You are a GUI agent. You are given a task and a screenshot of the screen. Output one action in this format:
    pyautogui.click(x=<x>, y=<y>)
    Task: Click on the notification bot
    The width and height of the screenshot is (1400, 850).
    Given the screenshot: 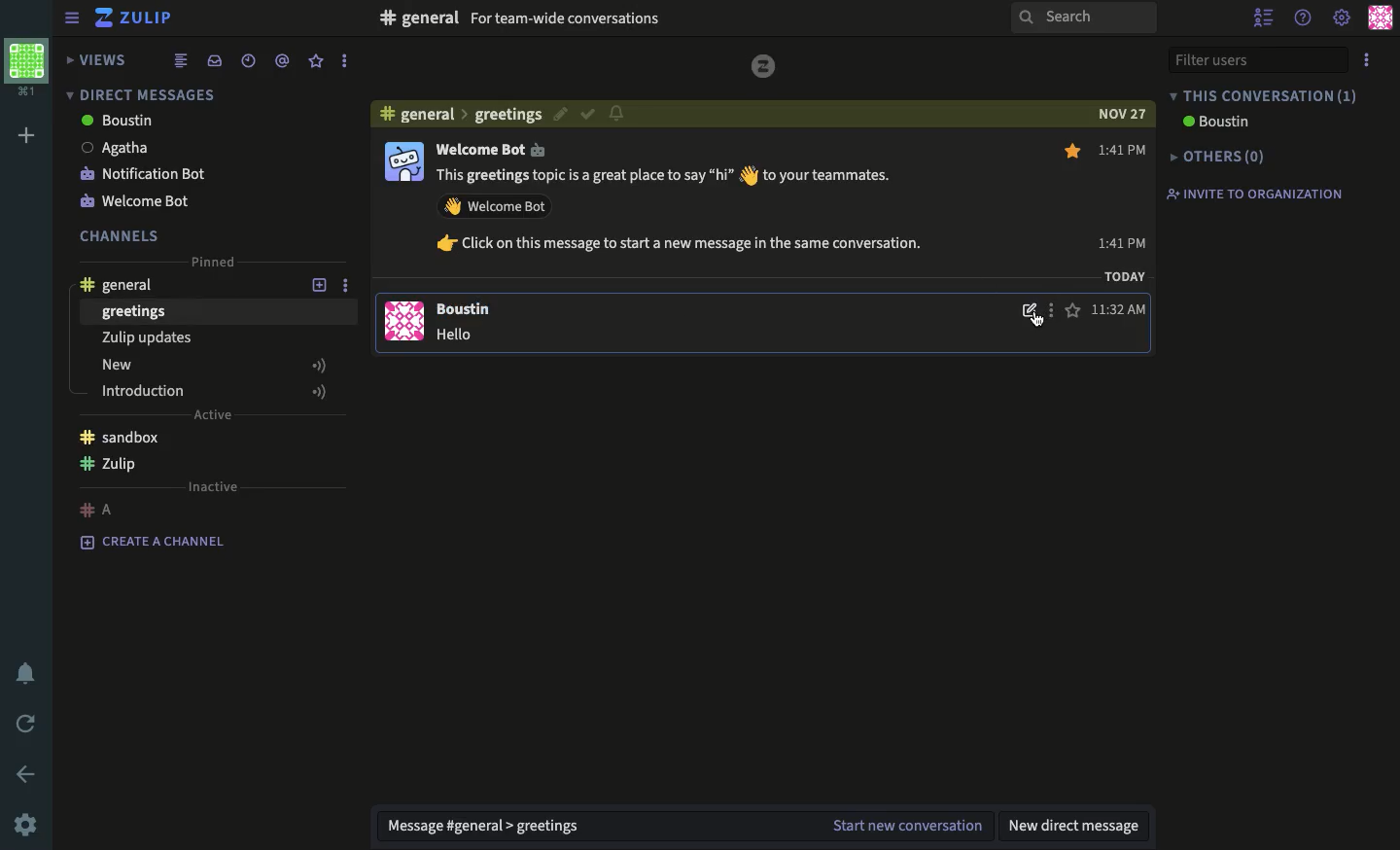 What is the action you would take?
    pyautogui.click(x=142, y=199)
    